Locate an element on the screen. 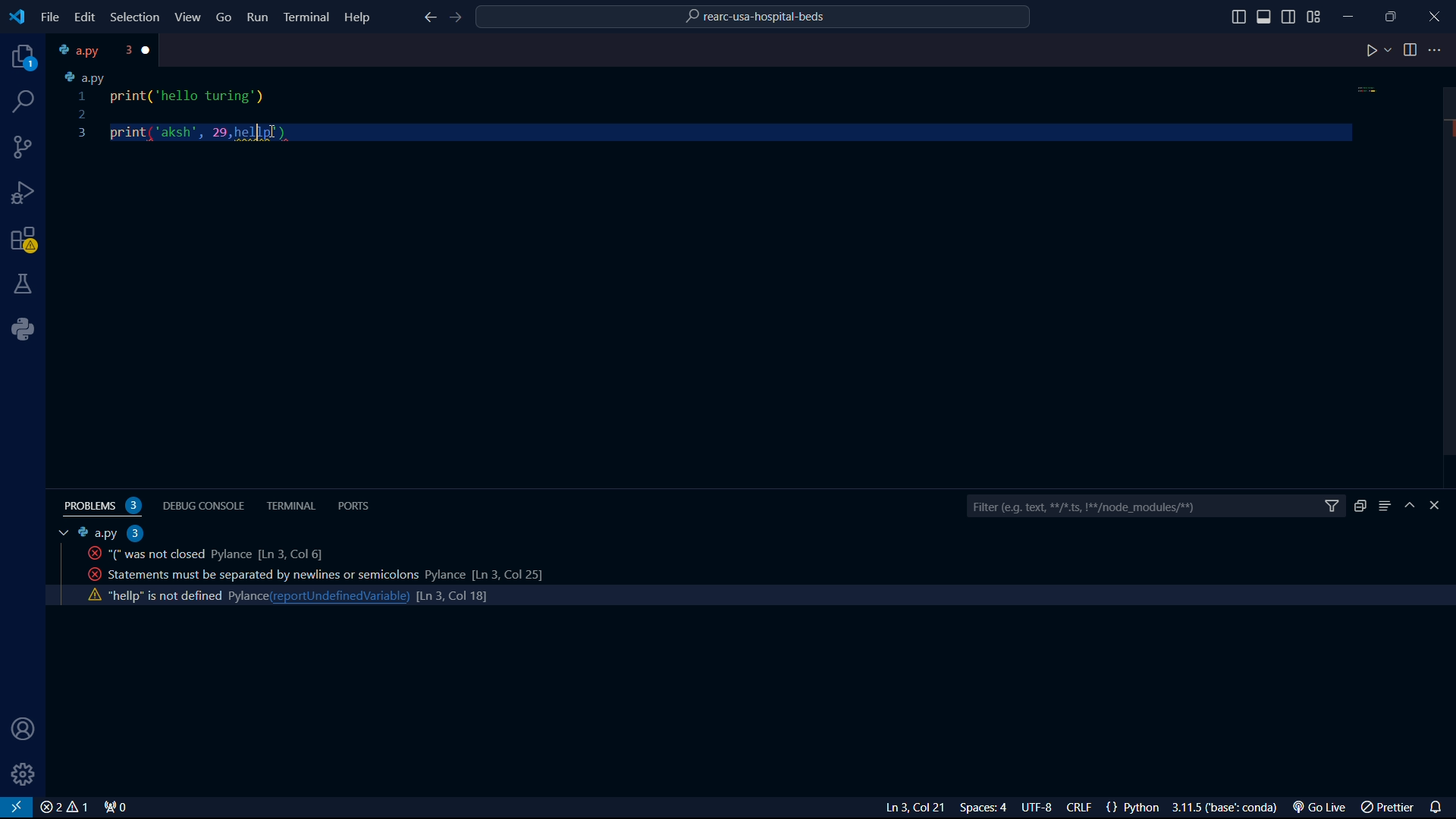  duplicate is located at coordinates (1360, 506).